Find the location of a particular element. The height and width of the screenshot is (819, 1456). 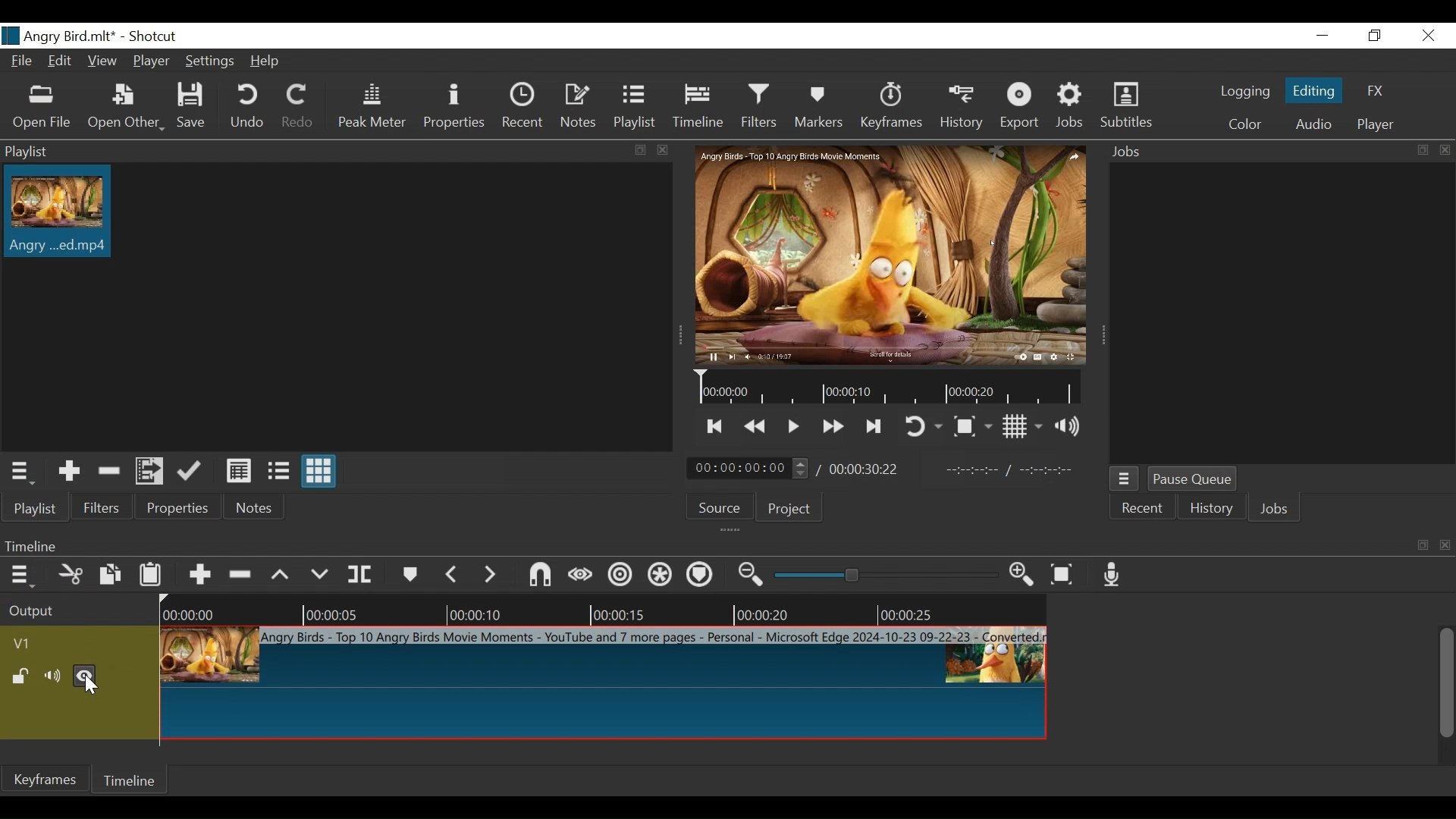

mute is located at coordinates (52, 676).